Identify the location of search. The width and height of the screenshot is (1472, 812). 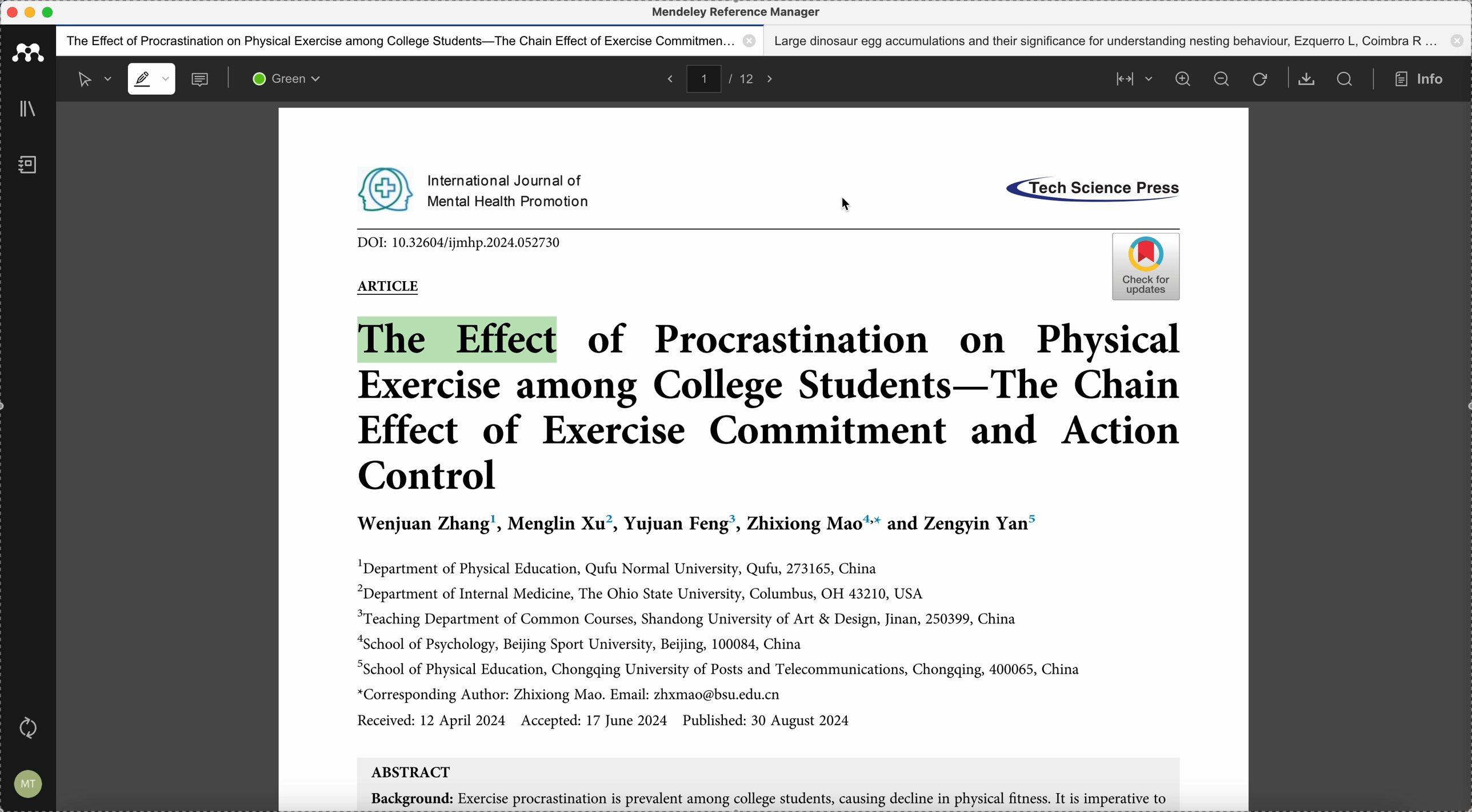
(1345, 79).